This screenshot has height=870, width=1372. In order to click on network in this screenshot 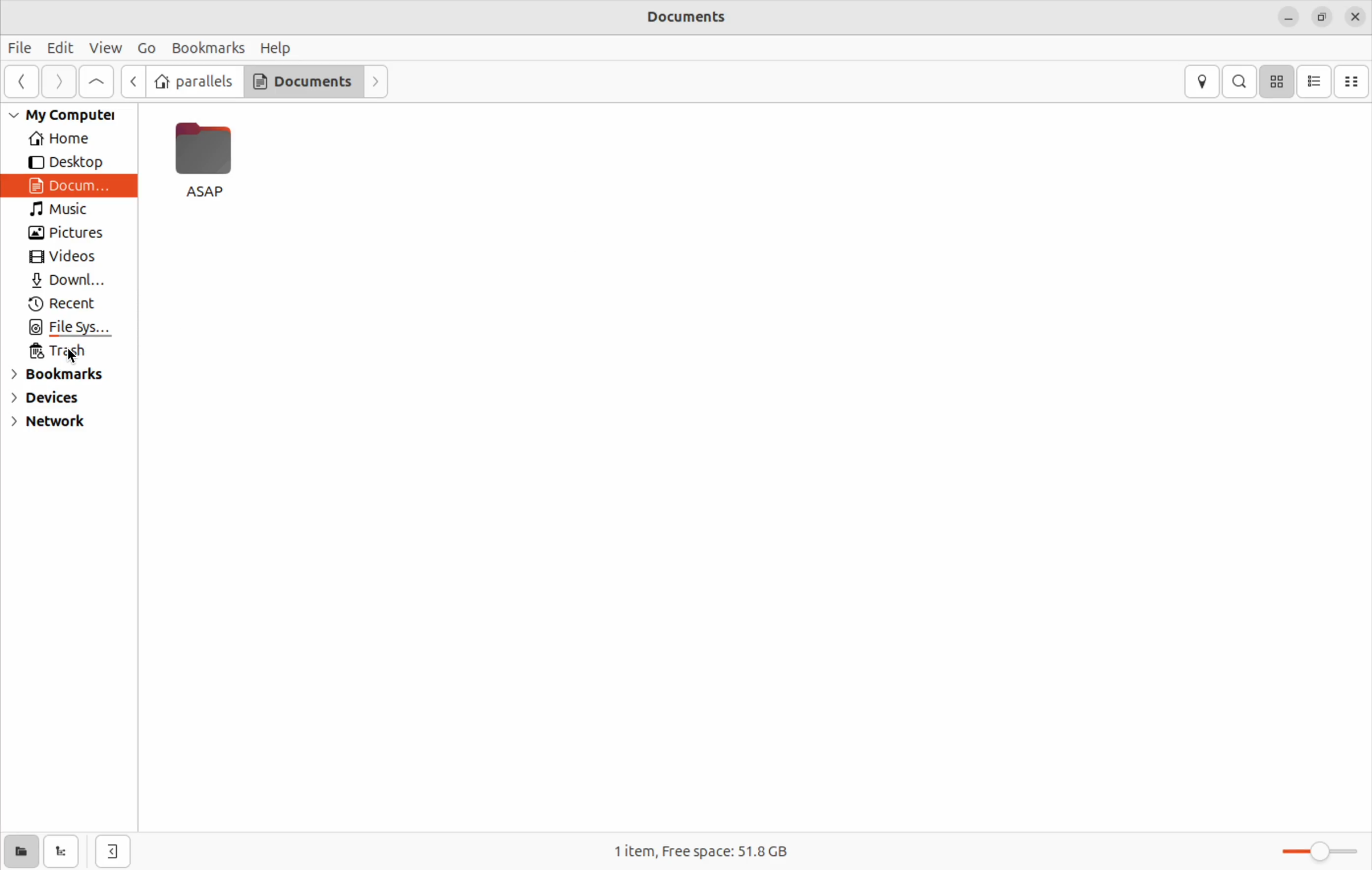, I will do `click(57, 426)`.